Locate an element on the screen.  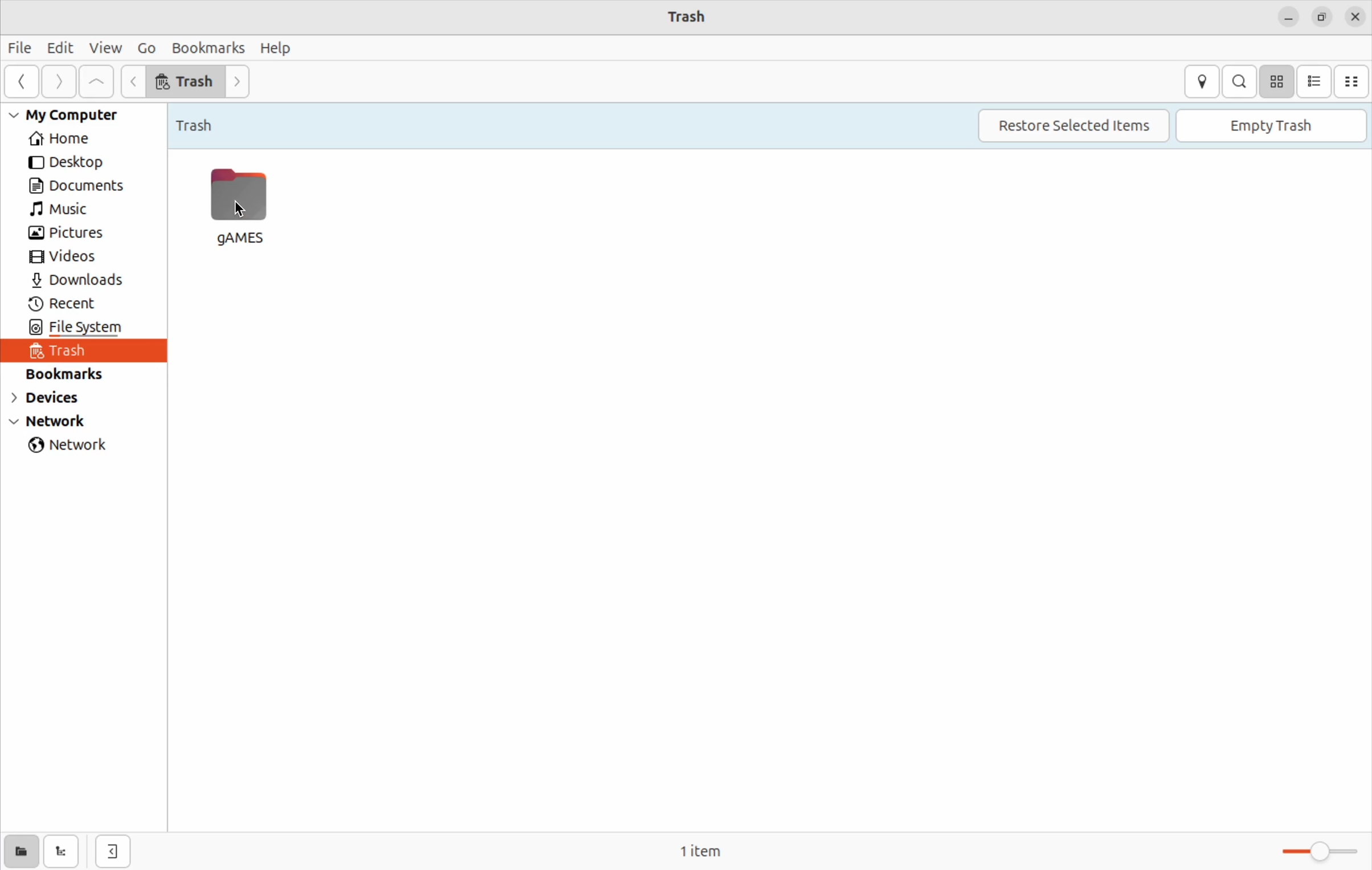
pictures is located at coordinates (71, 234).